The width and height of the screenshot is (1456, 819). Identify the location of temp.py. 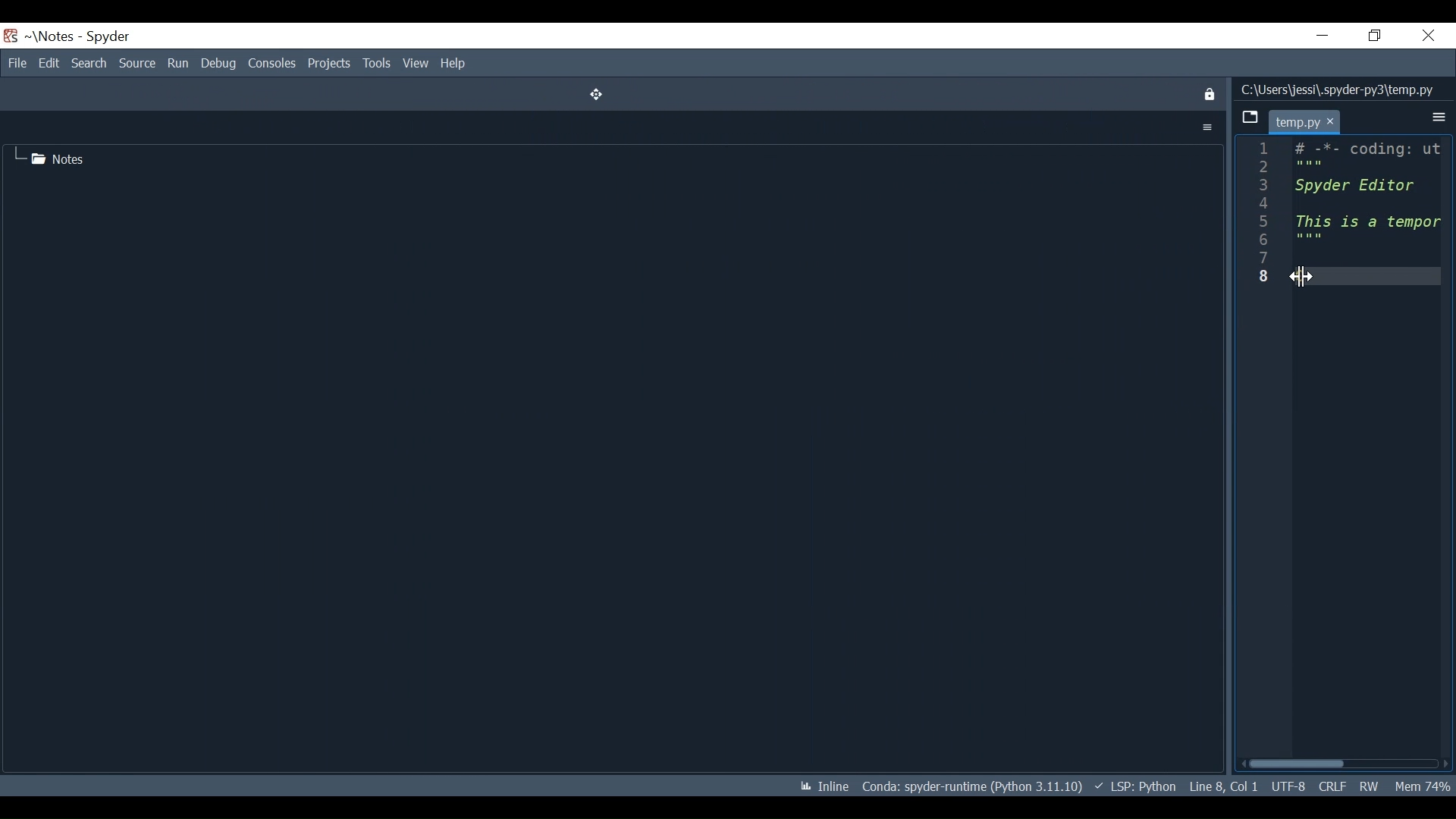
(1297, 123).